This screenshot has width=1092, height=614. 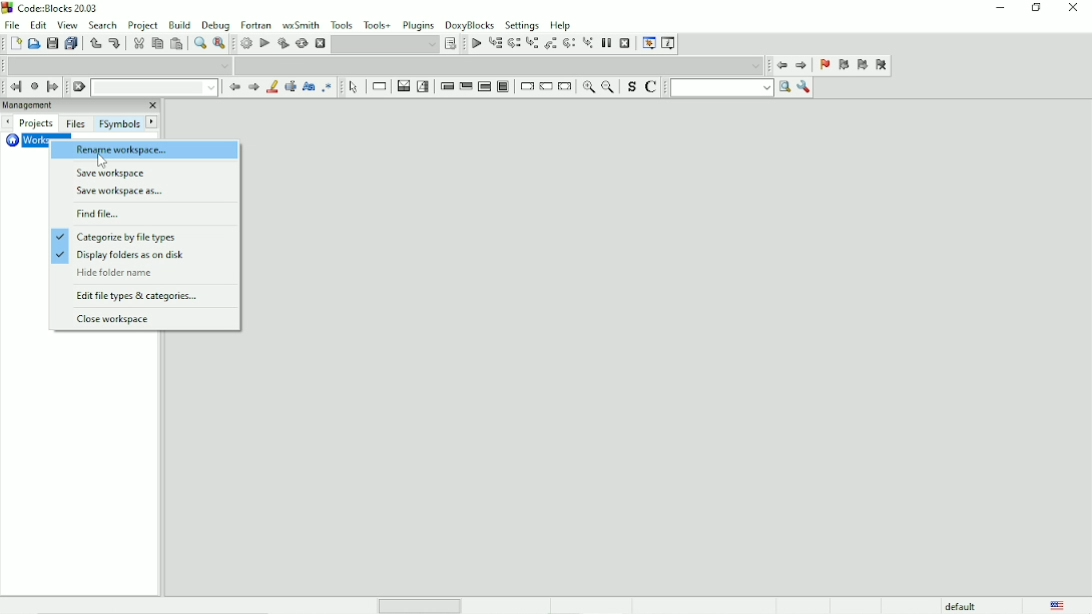 I want to click on Next instruction, so click(x=569, y=44).